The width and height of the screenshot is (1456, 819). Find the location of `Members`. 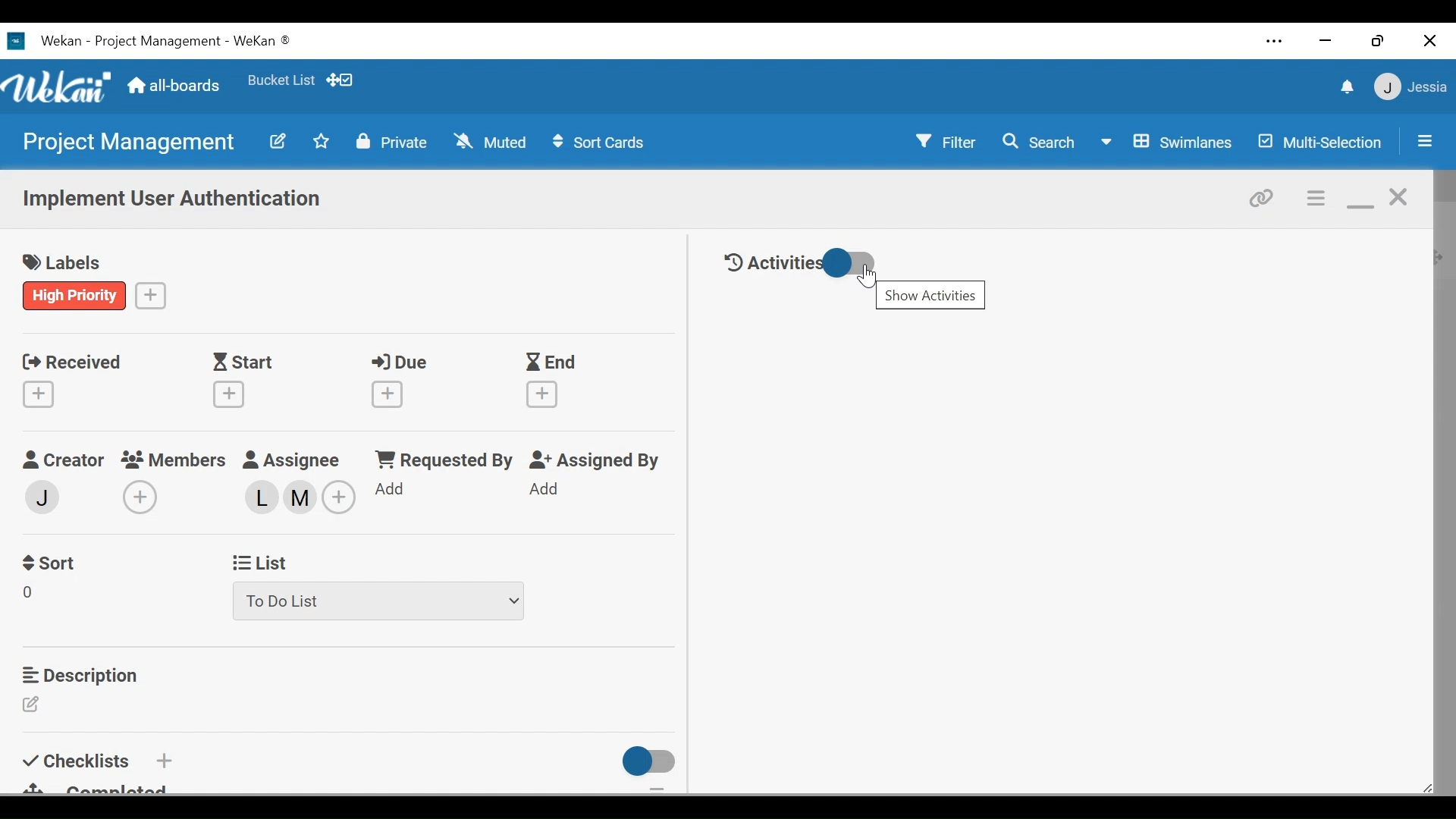

Members is located at coordinates (174, 459).